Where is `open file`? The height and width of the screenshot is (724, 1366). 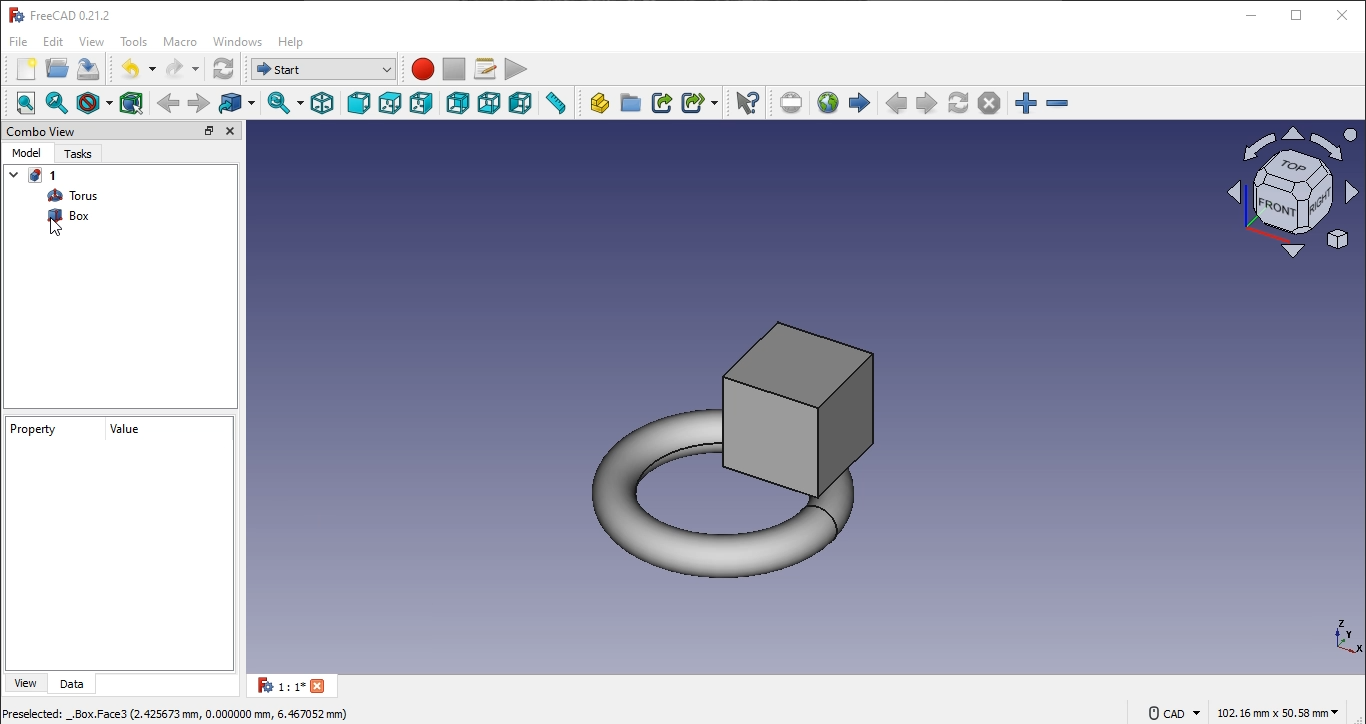
open file is located at coordinates (57, 67).